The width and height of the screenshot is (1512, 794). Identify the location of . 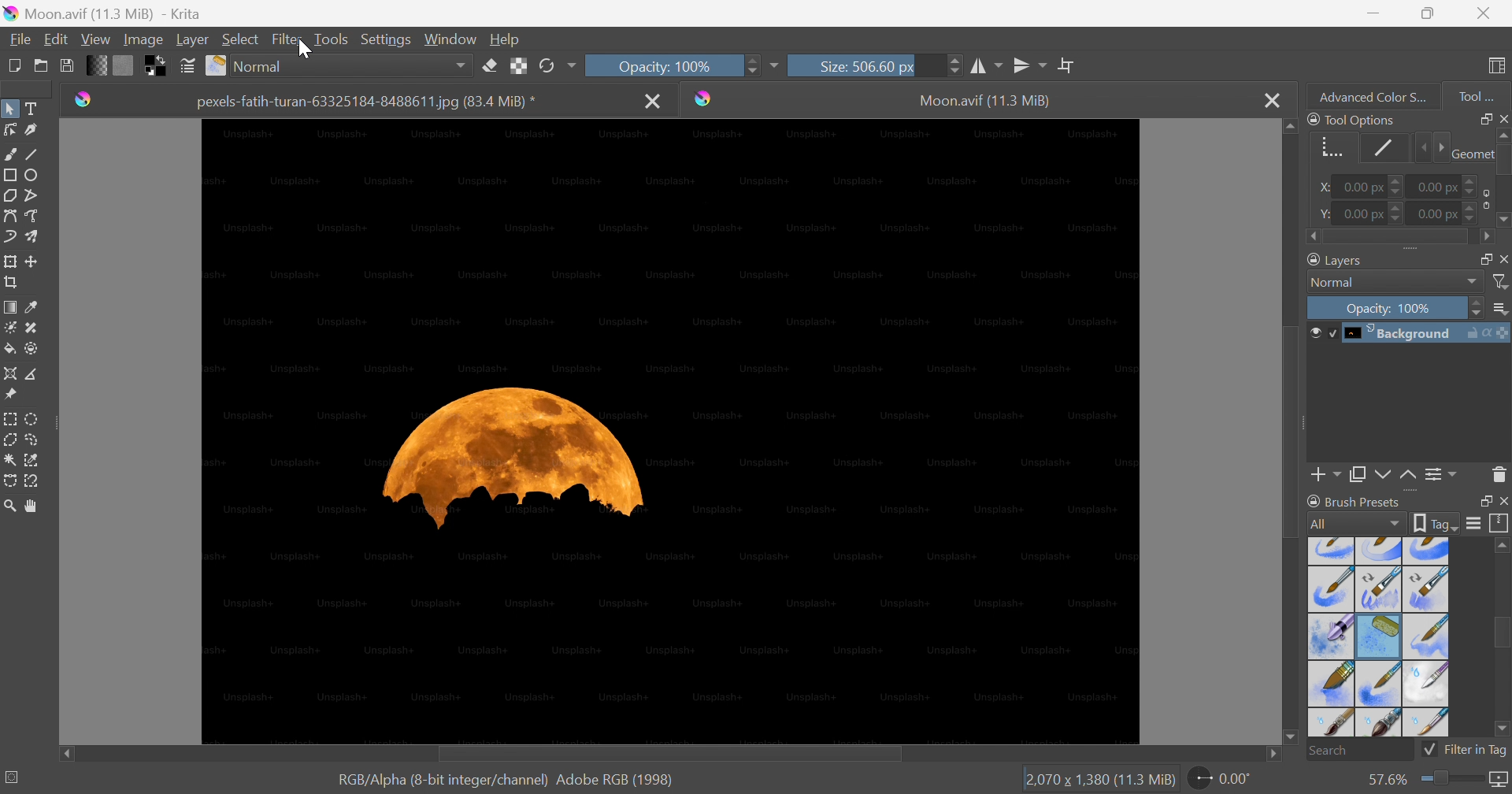
(13, 65).